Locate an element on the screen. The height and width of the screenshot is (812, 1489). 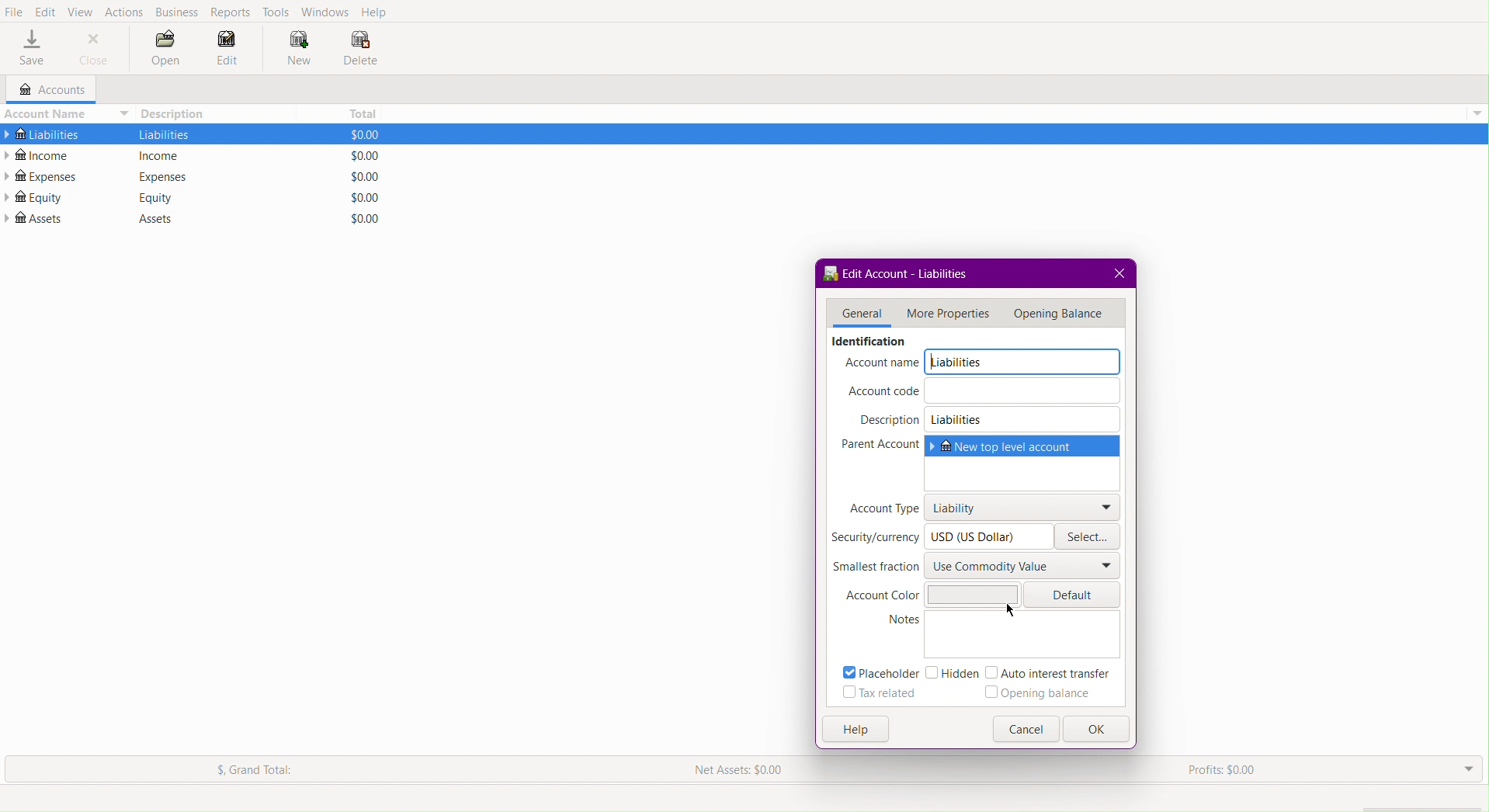
Expenses is located at coordinates (161, 176).